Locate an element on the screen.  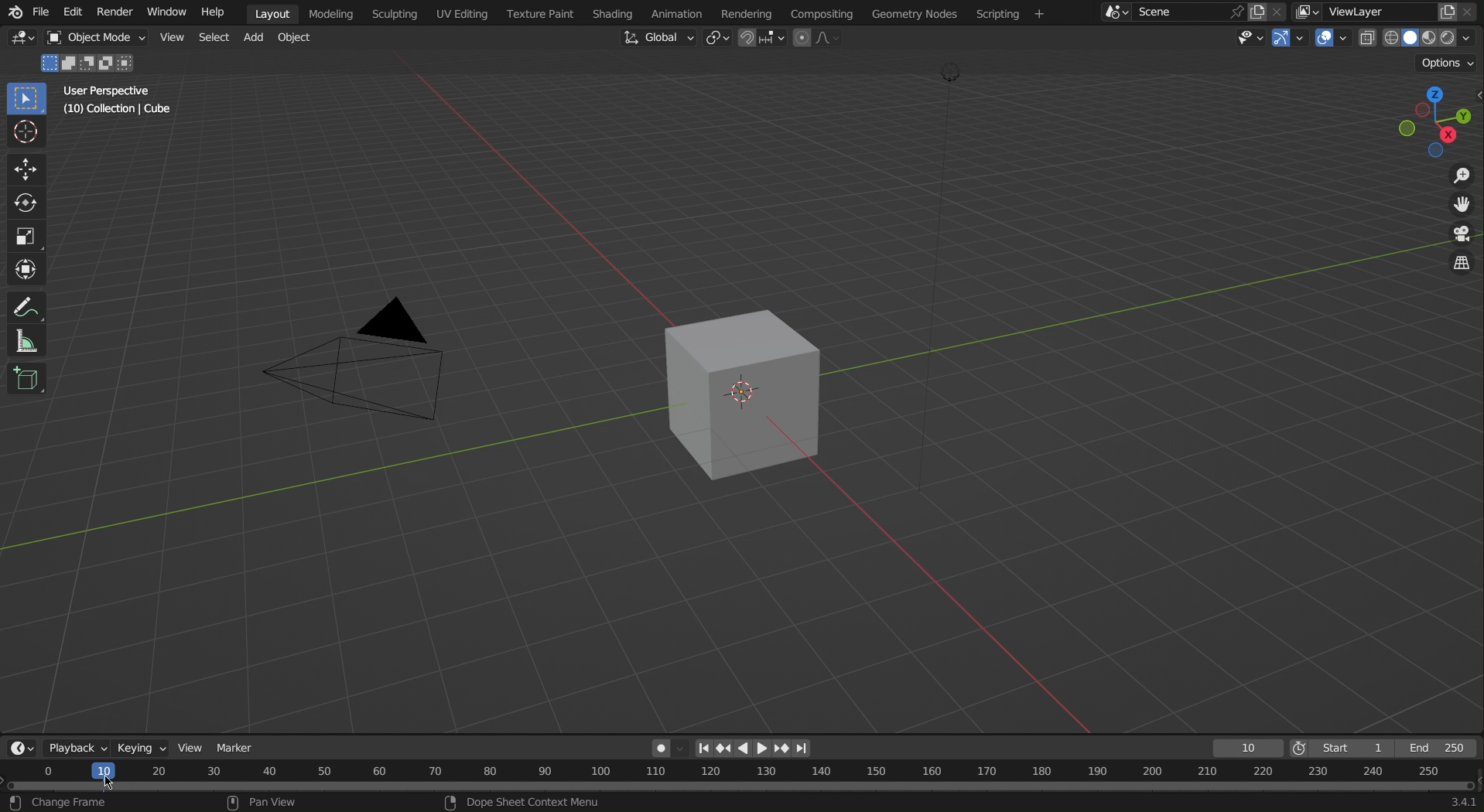
Mode is located at coordinates (88, 63).